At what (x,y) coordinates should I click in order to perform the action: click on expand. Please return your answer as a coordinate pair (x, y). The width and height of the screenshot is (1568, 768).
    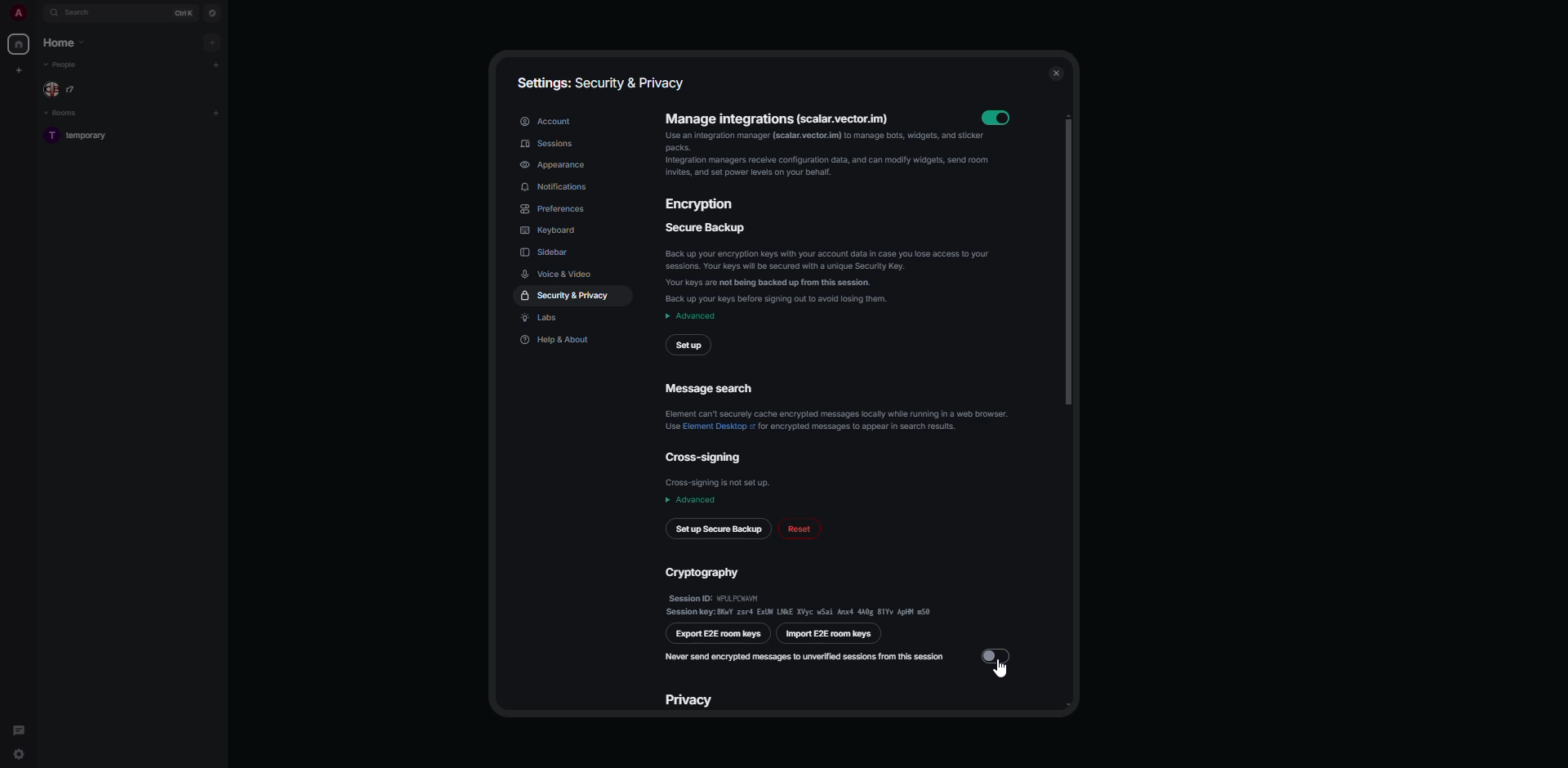
    Looking at the image, I should click on (37, 12).